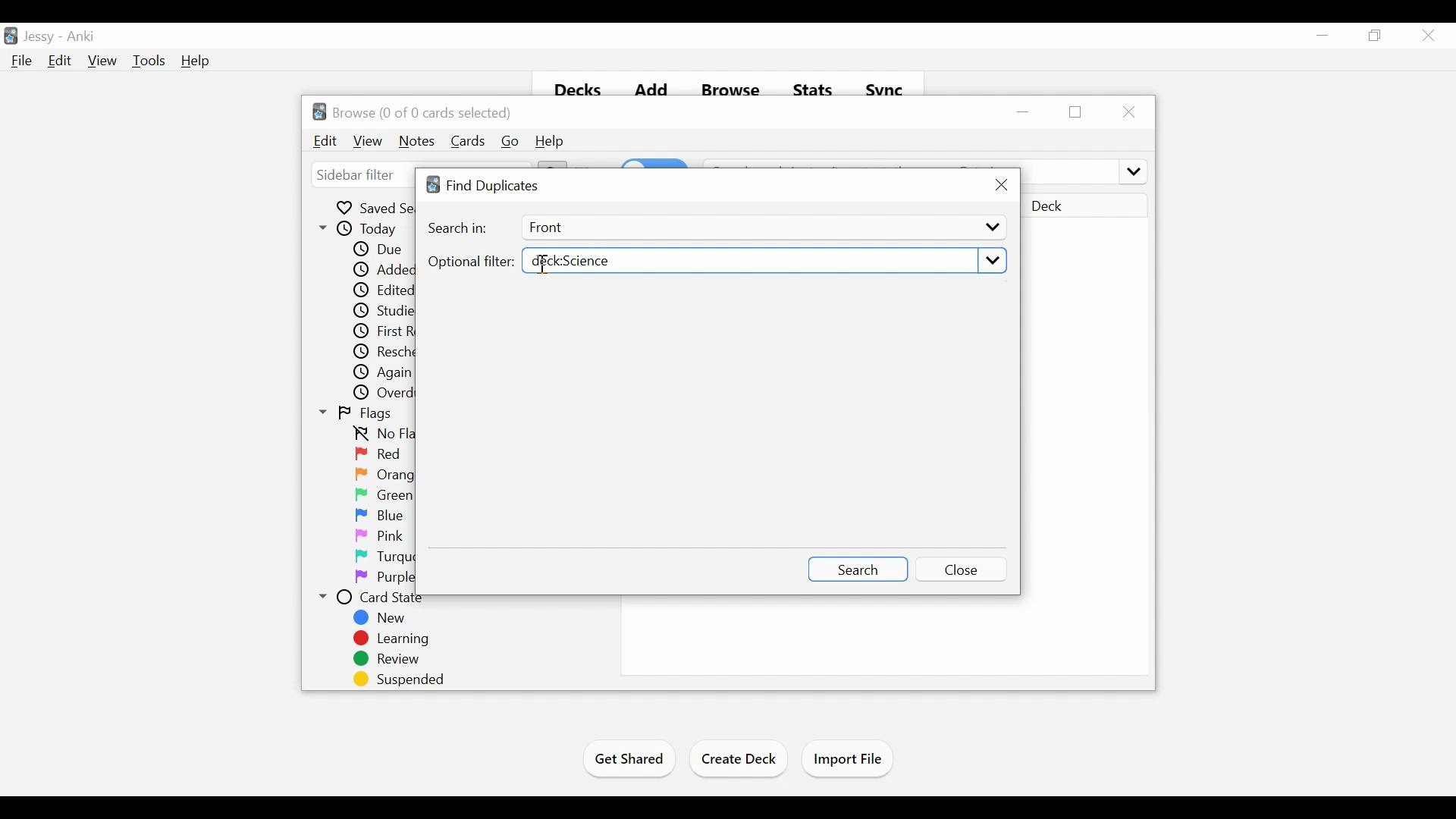  What do you see at coordinates (369, 142) in the screenshot?
I see `View` at bounding box center [369, 142].